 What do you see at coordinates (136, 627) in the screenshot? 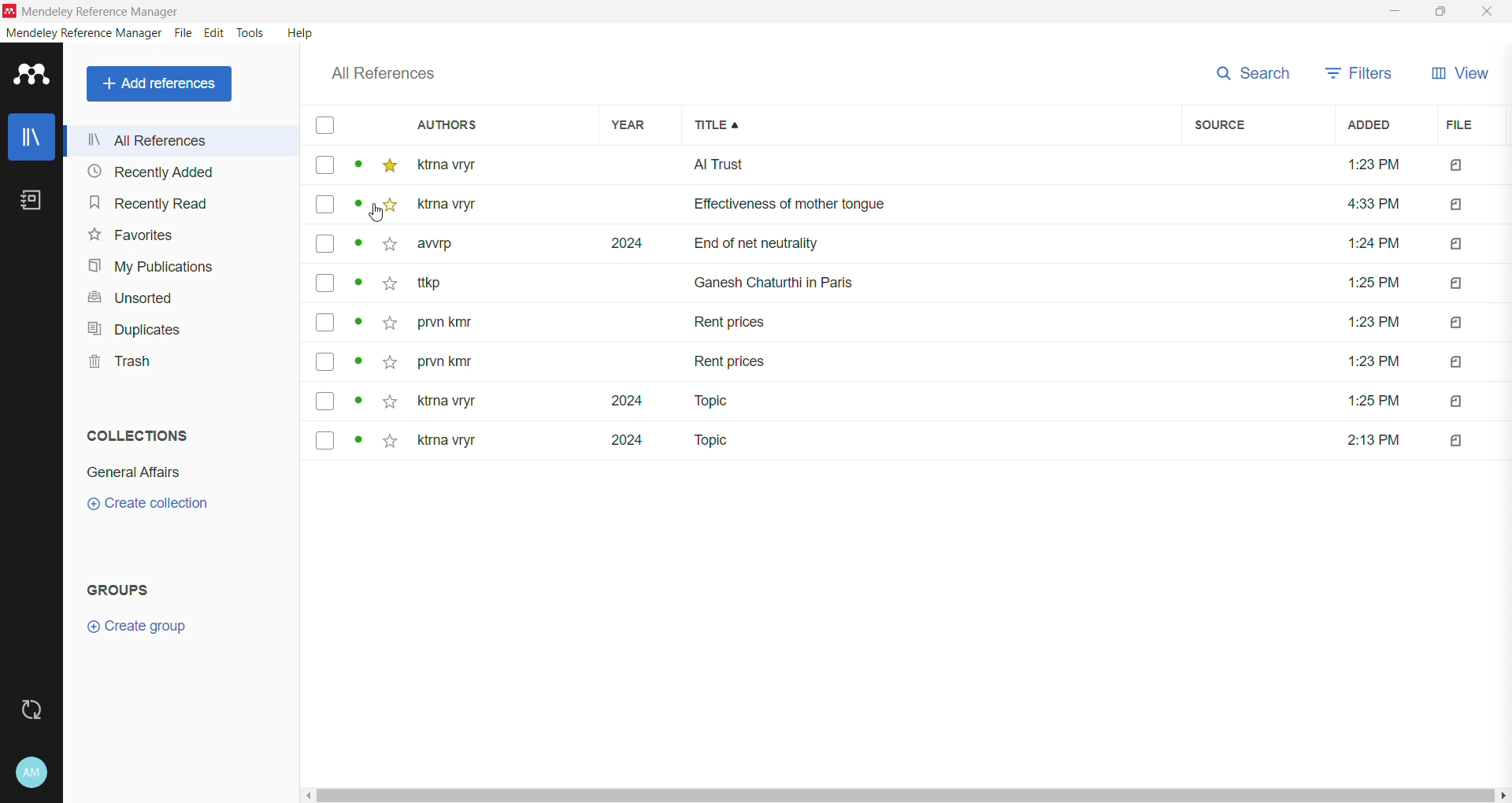
I see `Create group` at bounding box center [136, 627].